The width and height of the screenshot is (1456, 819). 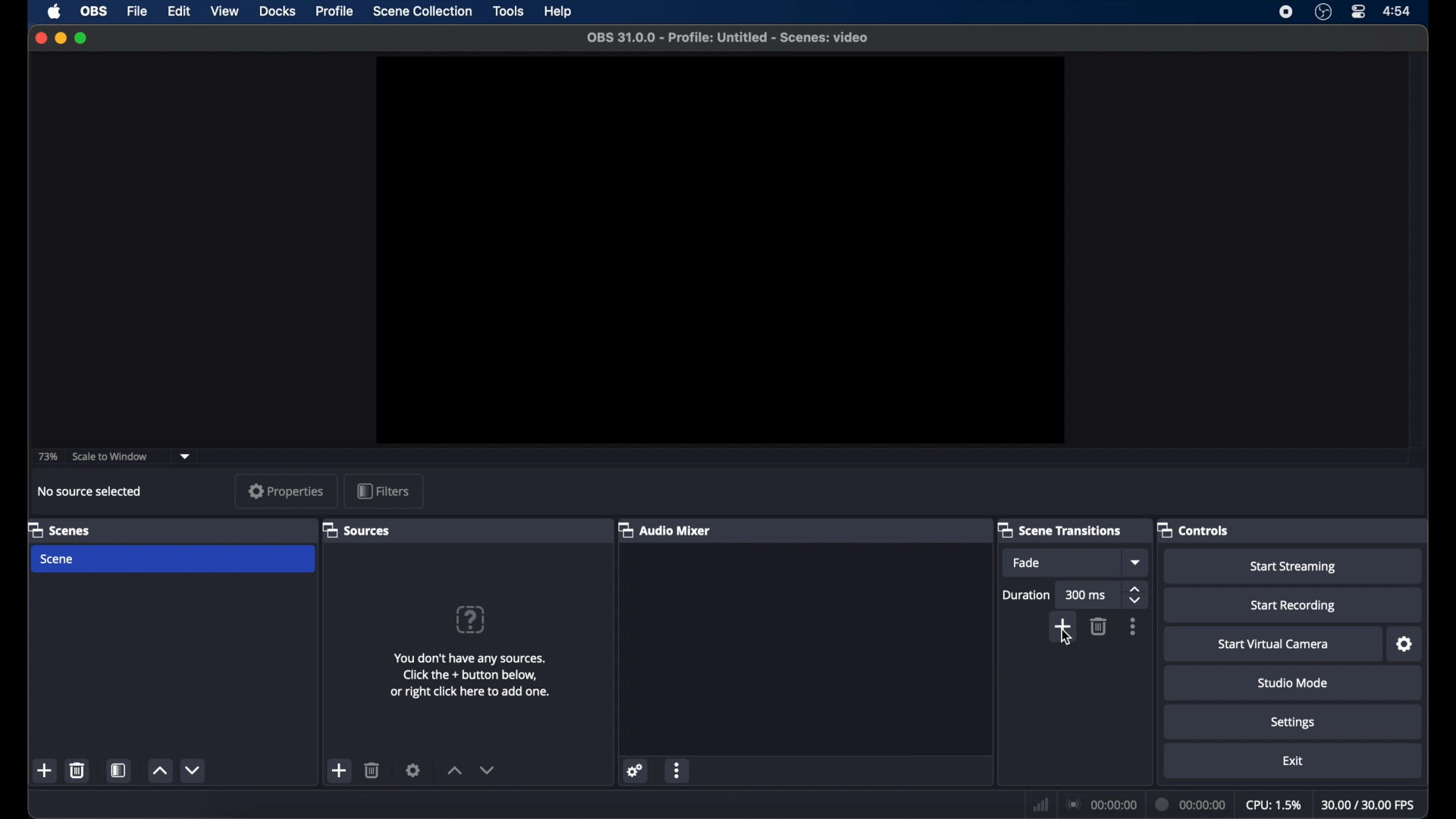 What do you see at coordinates (678, 770) in the screenshot?
I see `more options` at bounding box center [678, 770].